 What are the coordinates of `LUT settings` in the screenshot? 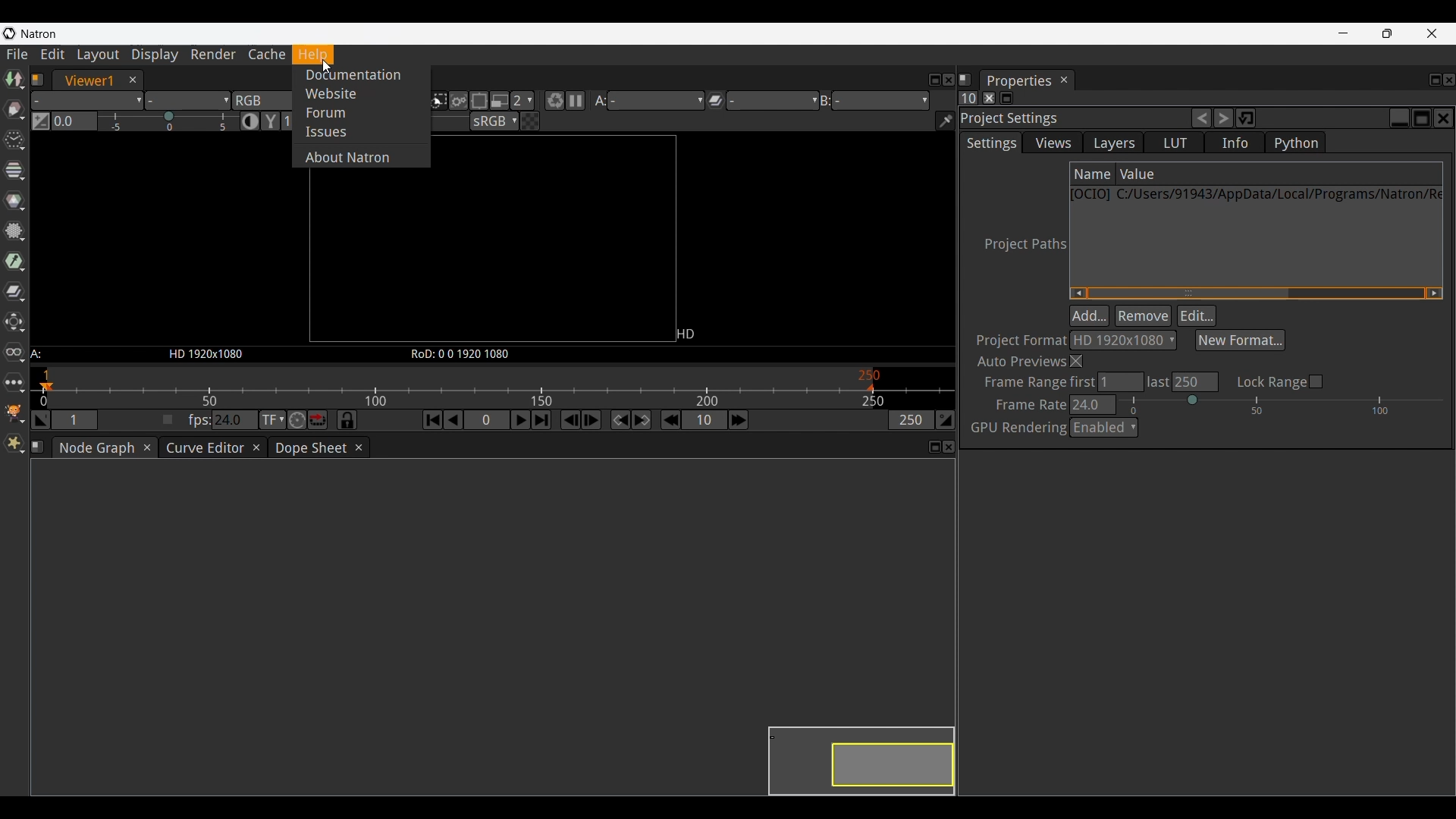 It's located at (1174, 143).